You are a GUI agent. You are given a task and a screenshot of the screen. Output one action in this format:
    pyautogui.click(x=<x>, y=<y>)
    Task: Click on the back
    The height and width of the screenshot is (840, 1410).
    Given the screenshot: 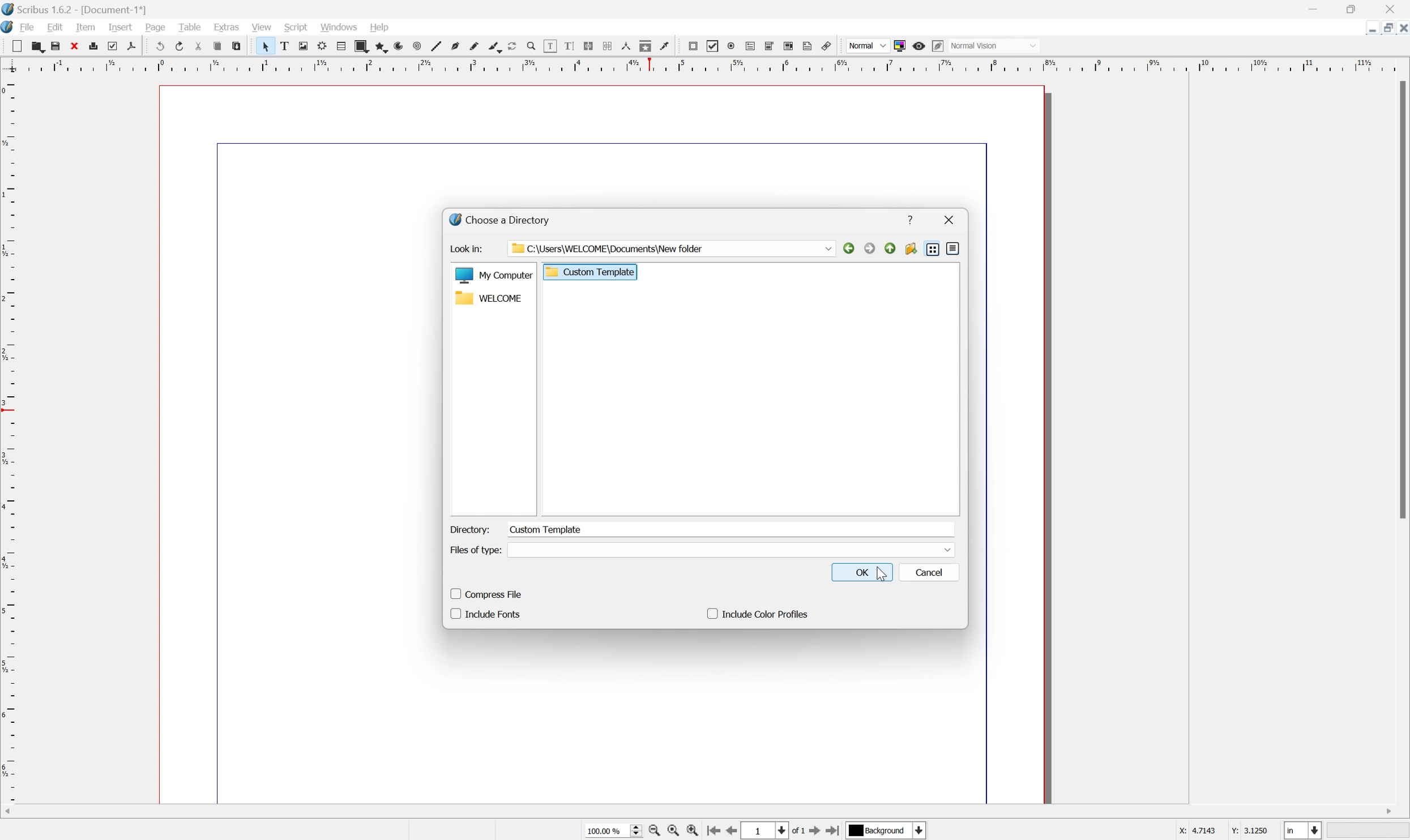 What is the action you would take?
    pyautogui.click(x=849, y=249)
    